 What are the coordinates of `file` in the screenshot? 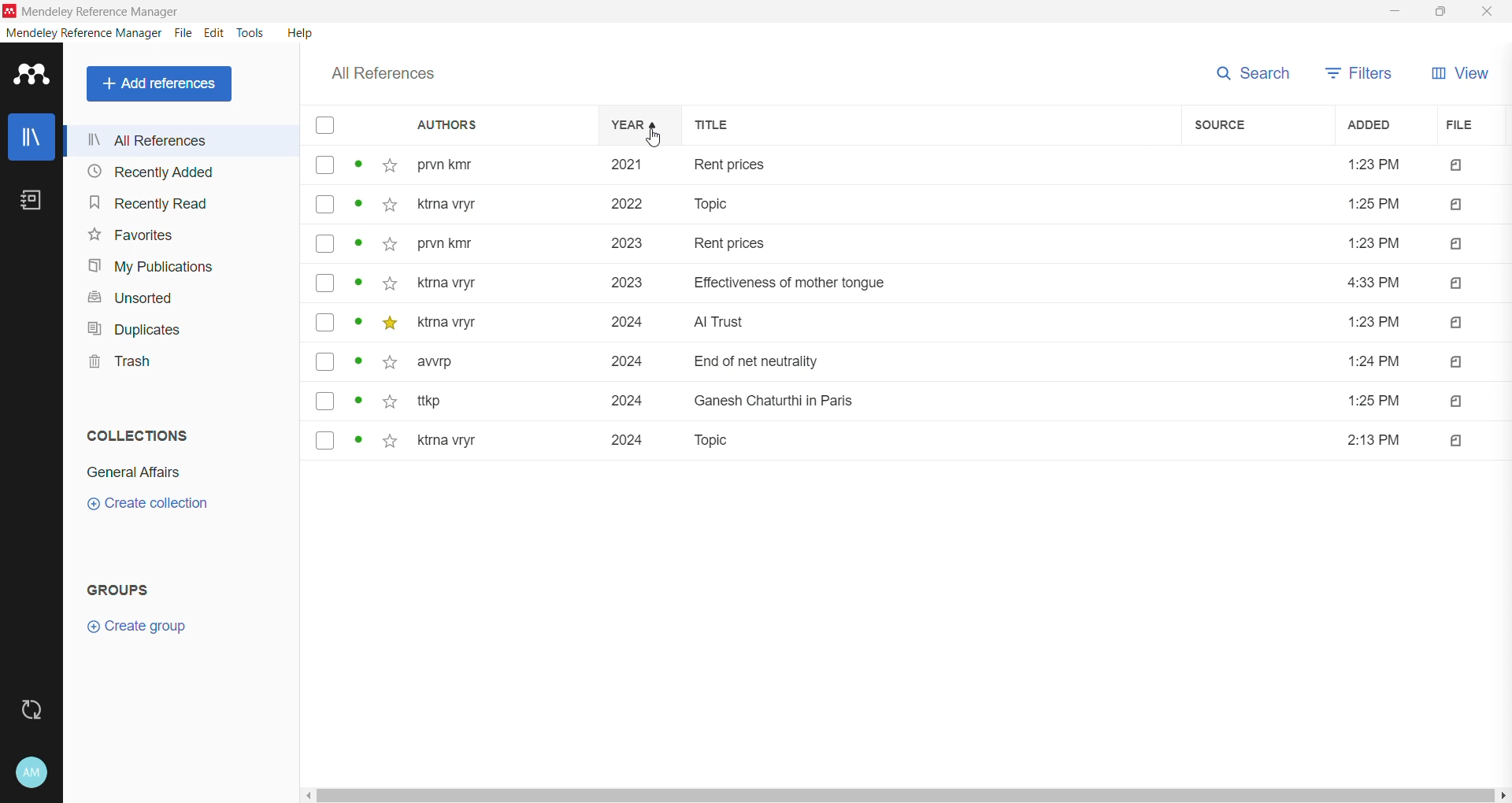 It's located at (1458, 125).